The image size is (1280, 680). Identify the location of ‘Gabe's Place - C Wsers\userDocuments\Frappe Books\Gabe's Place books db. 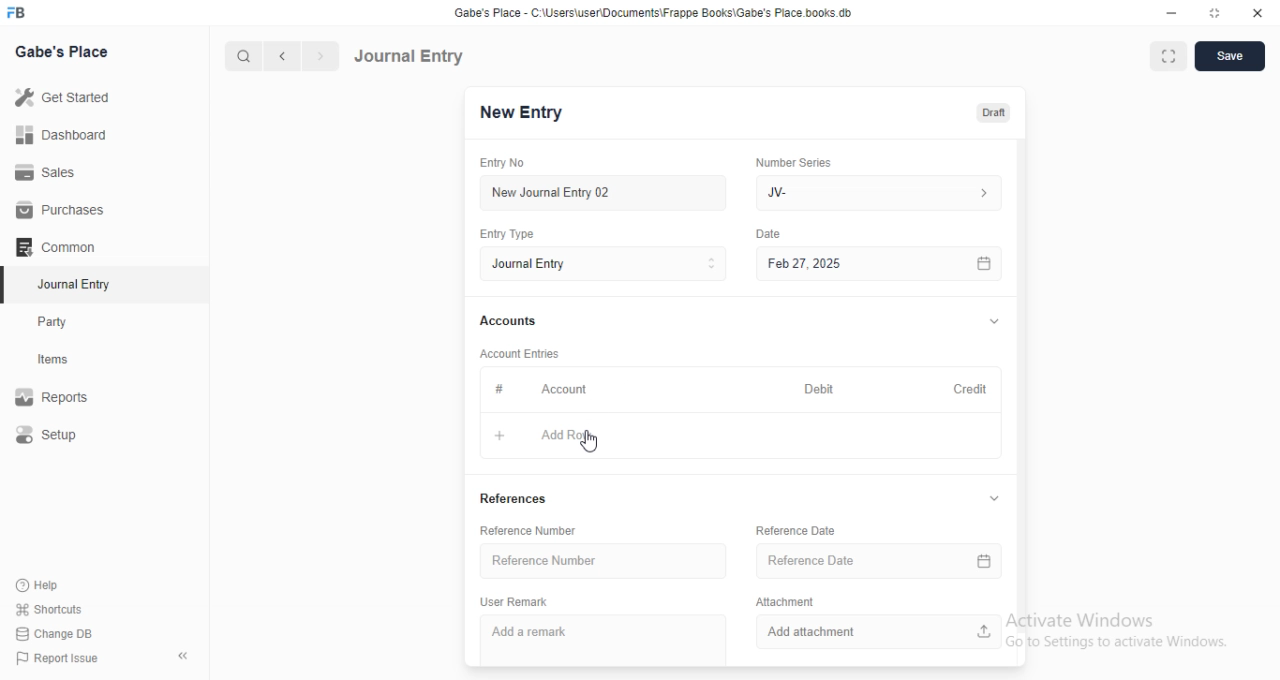
(659, 11).